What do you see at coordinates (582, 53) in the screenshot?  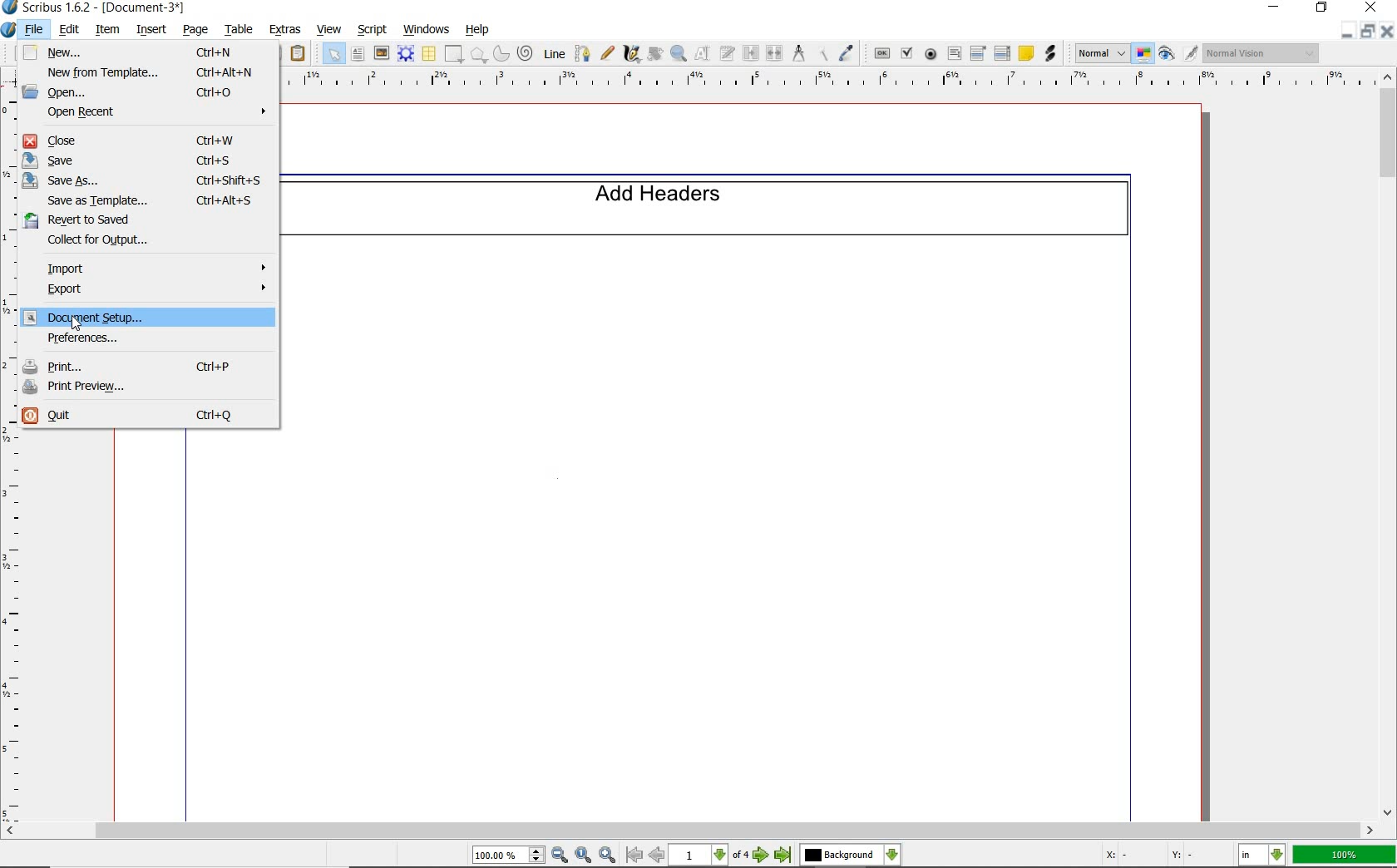 I see `Bezier curve` at bounding box center [582, 53].